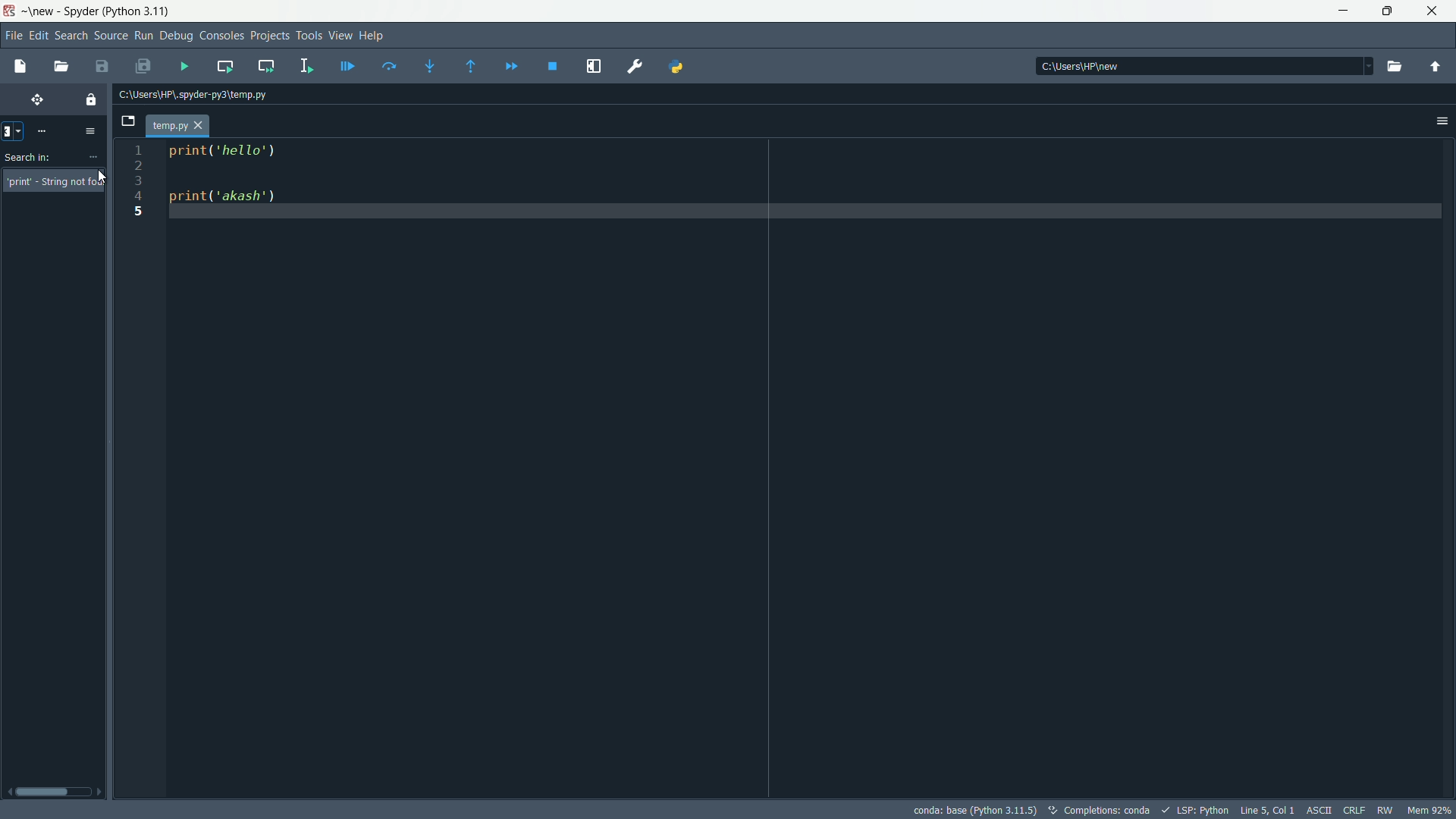 The height and width of the screenshot is (819, 1456). What do you see at coordinates (303, 65) in the screenshot?
I see `run selection` at bounding box center [303, 65].